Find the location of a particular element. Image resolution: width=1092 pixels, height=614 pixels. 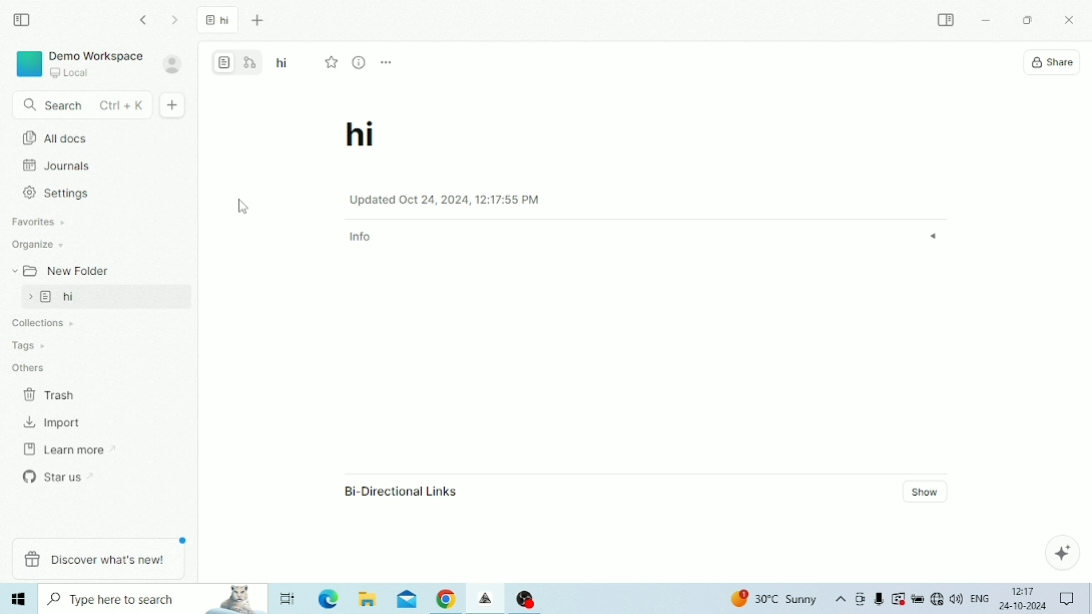

Info is located at coordinates (646, 237).